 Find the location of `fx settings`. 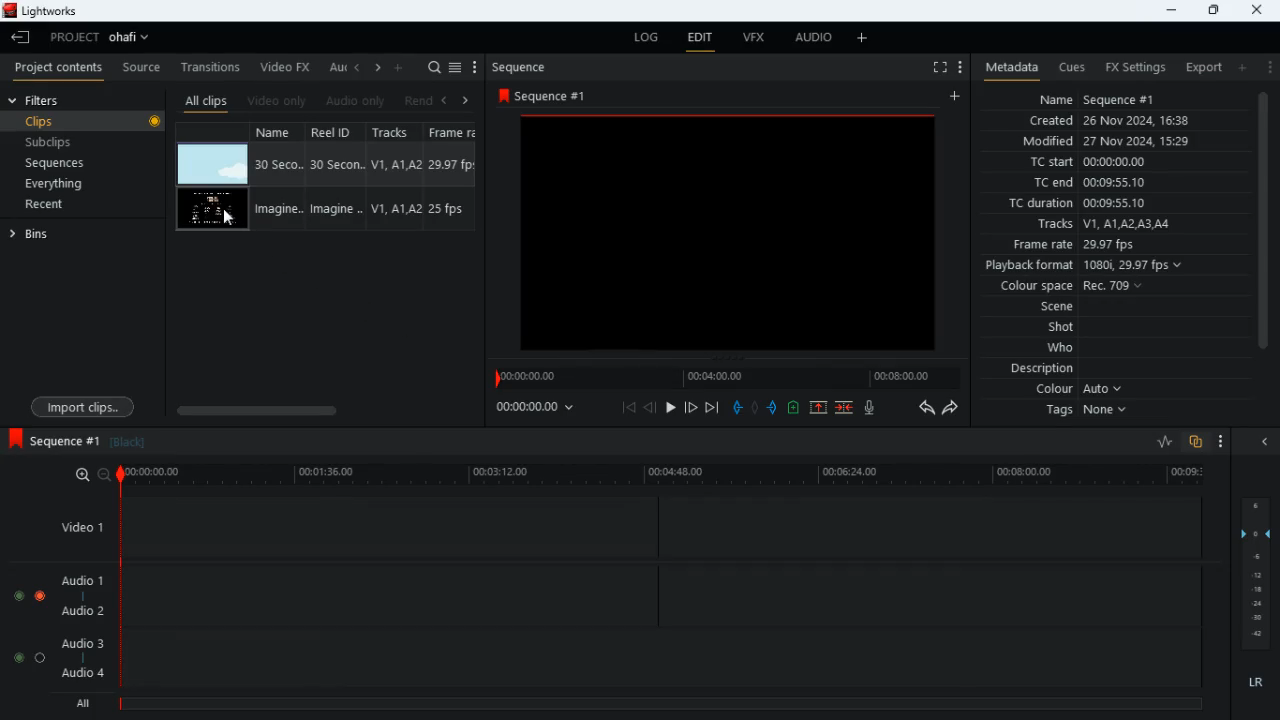

fx settings is located at coordinates (1134, 66).